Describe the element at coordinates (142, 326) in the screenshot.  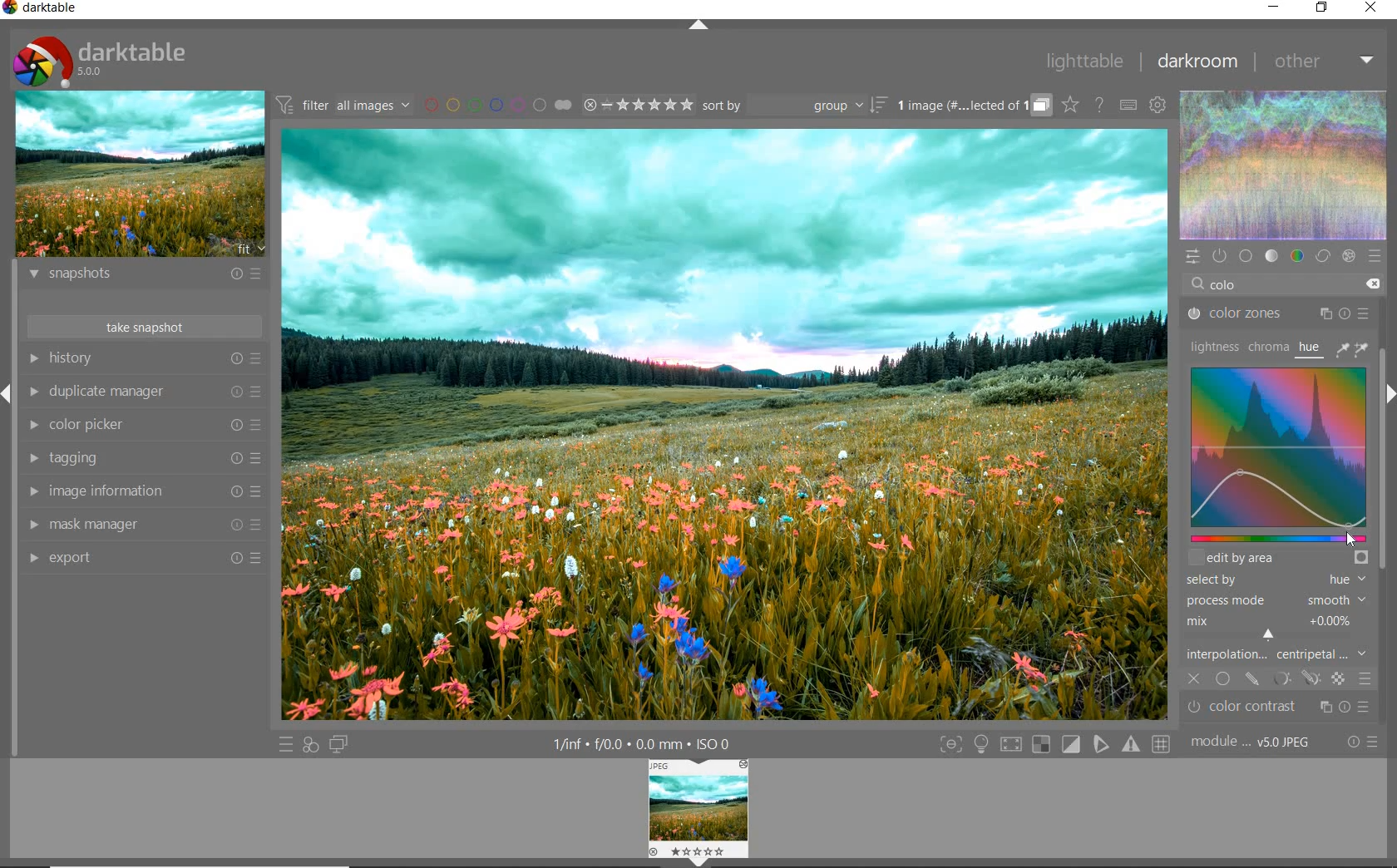
I see `take snapshots` at that location.